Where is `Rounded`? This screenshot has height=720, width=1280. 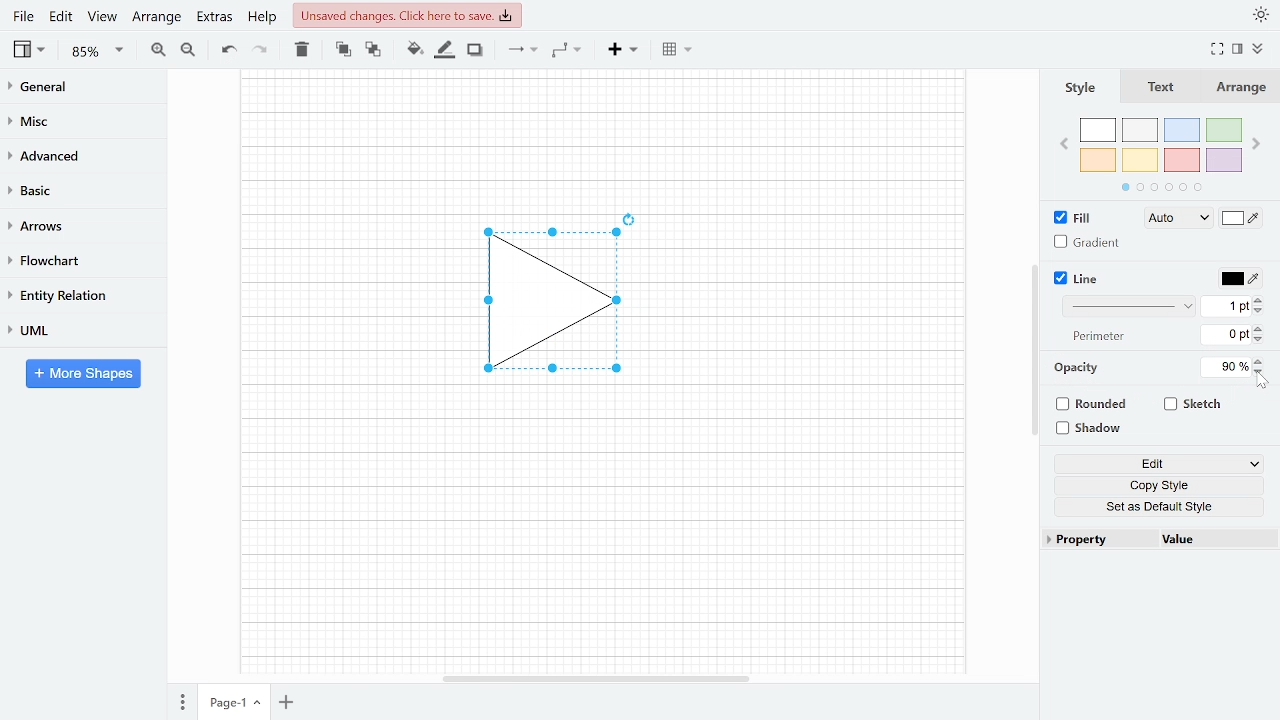 Rounded is located at coordinates (1094, 406).